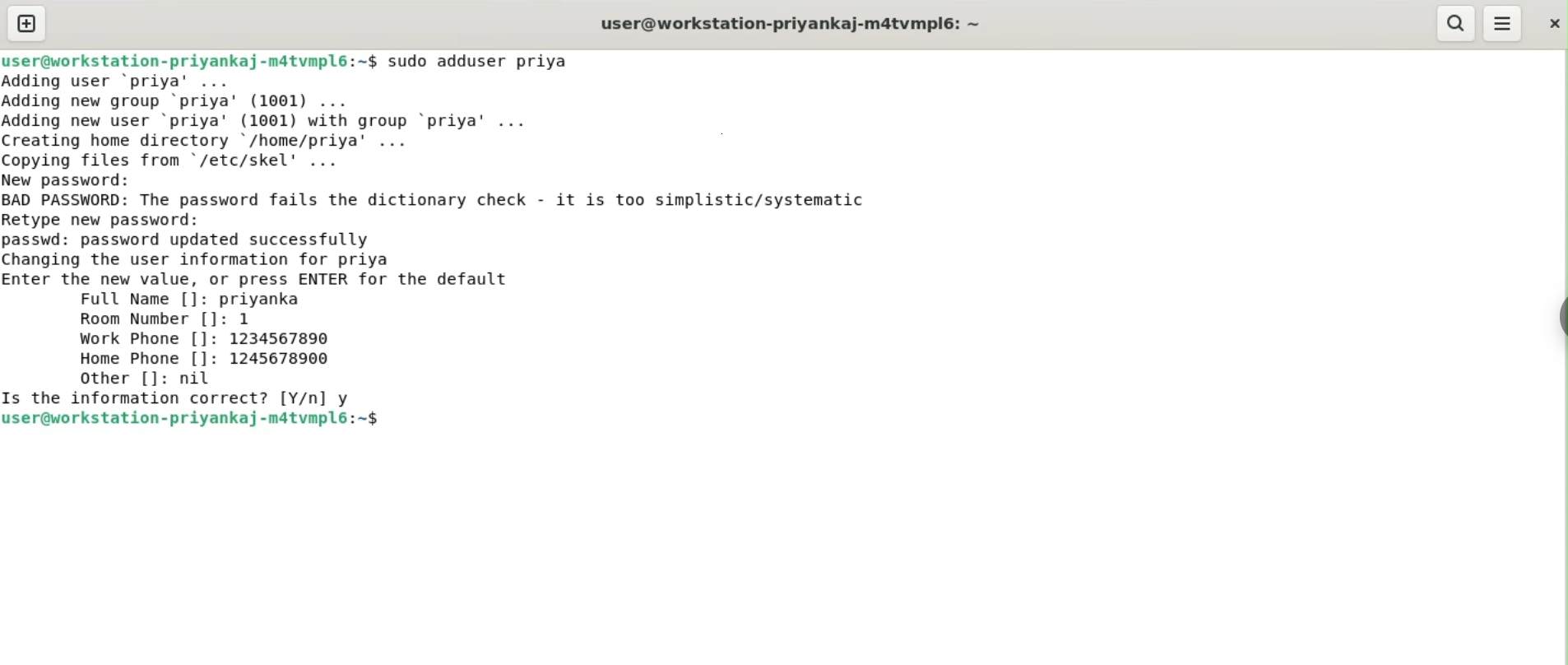  What do you see at coordinates (165, 319) in the screenshot?
I see `Room Number []: 1` at bounding box center [165, 319].